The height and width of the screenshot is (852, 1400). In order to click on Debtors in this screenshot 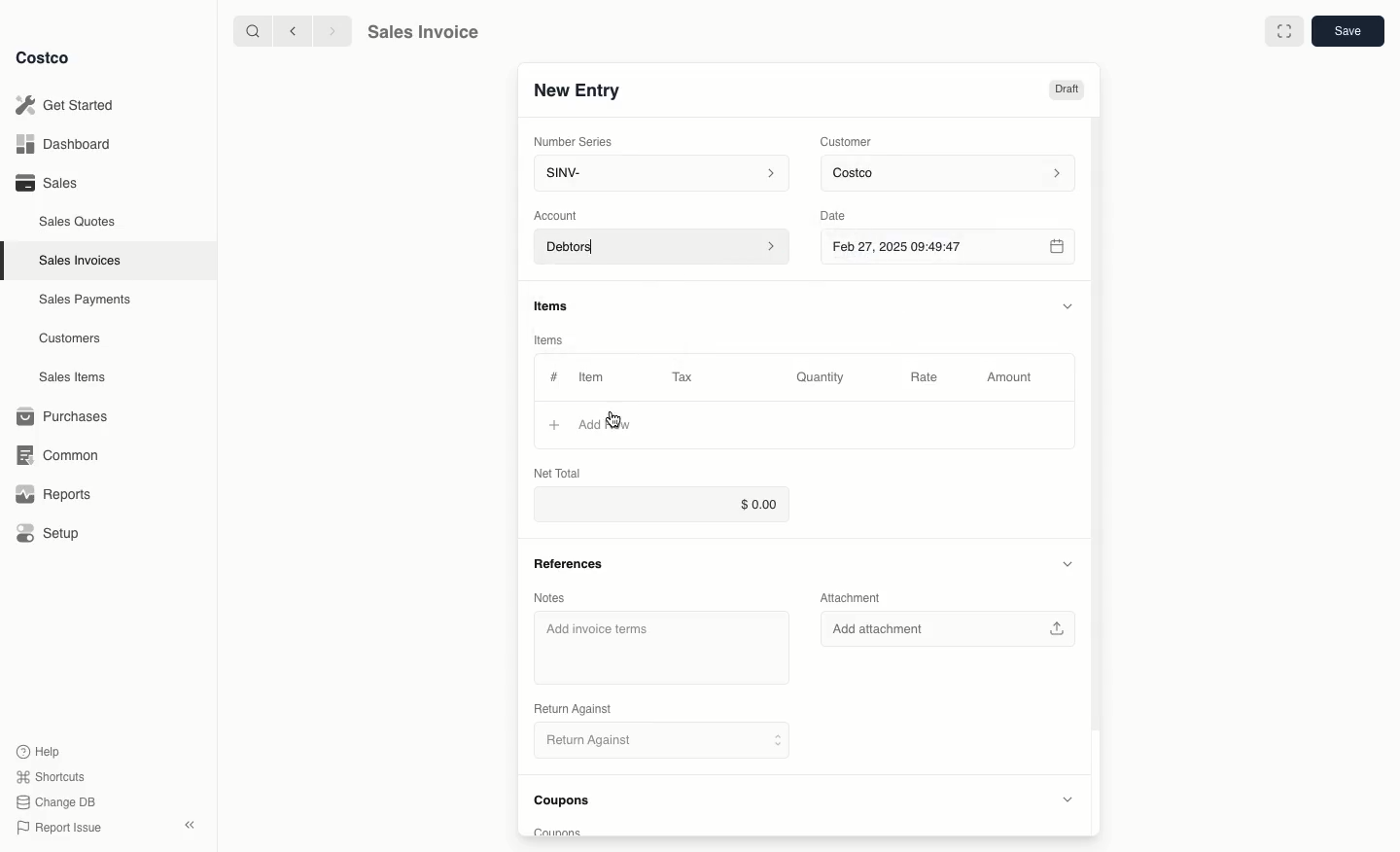, I will do `click(662, 248)`.